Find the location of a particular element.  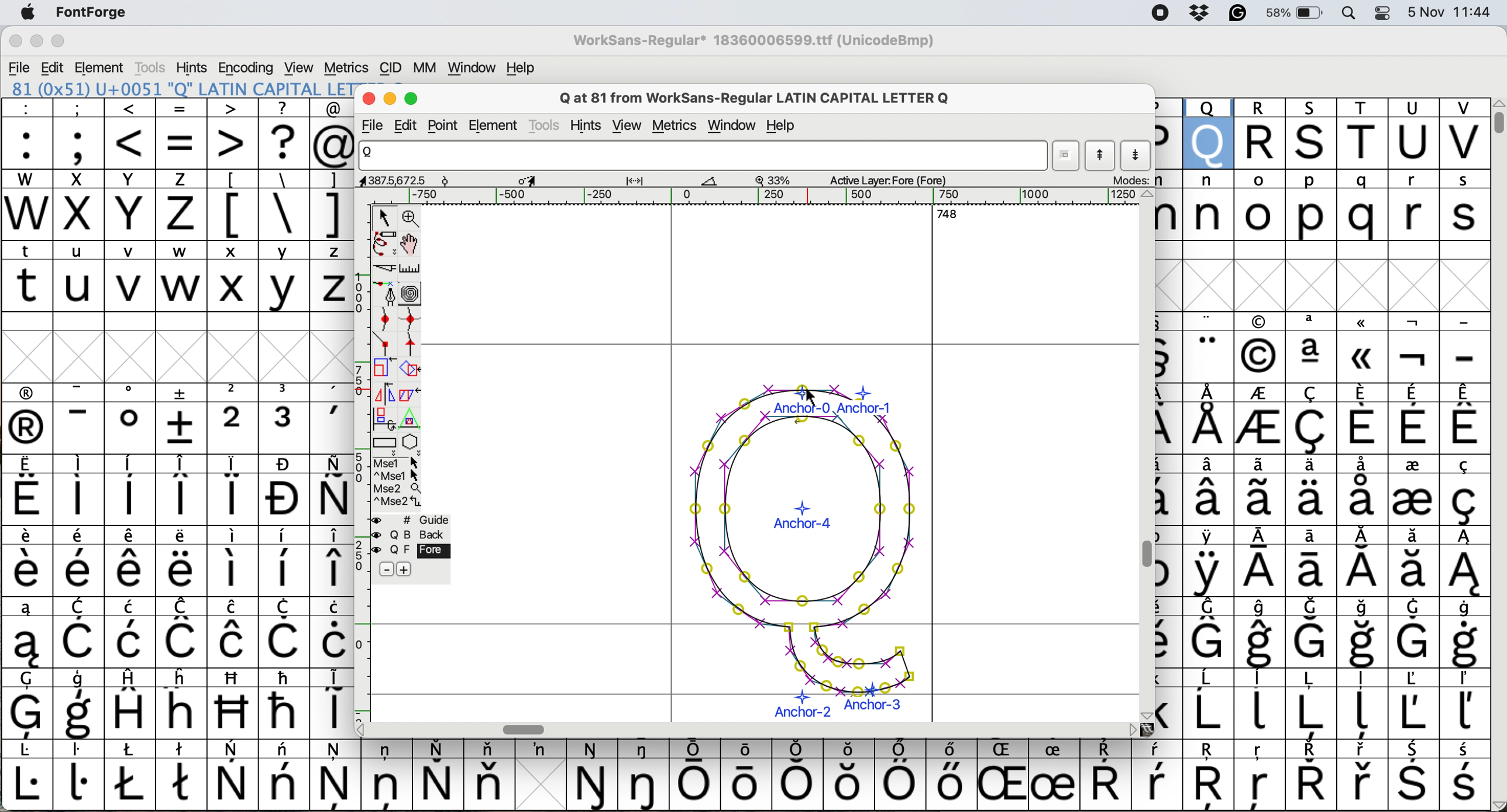

perform a perspective transformation on selection is located at coordinates (413, 419).